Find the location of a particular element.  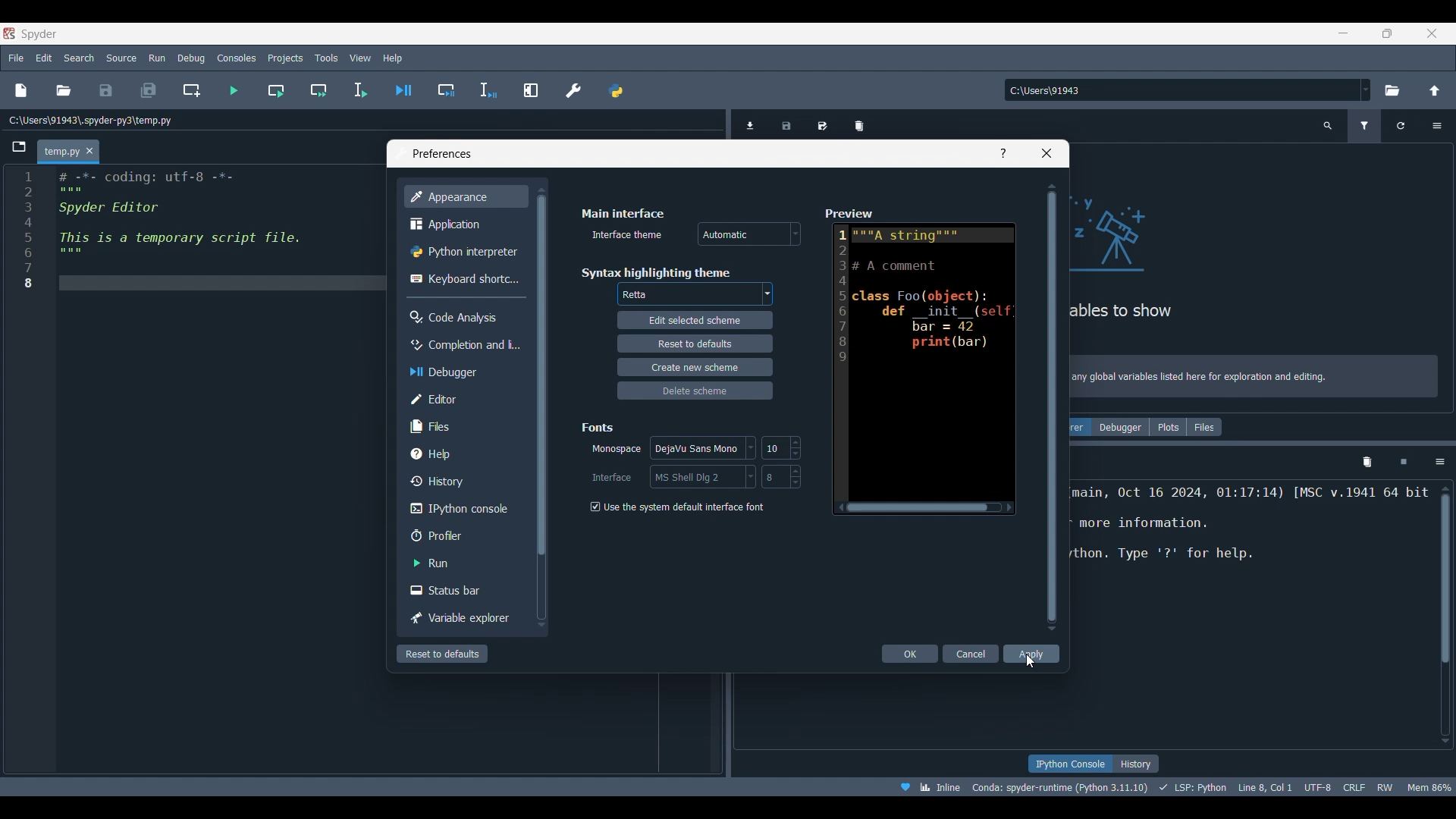

Plots is located at coordinates (1168, 427).